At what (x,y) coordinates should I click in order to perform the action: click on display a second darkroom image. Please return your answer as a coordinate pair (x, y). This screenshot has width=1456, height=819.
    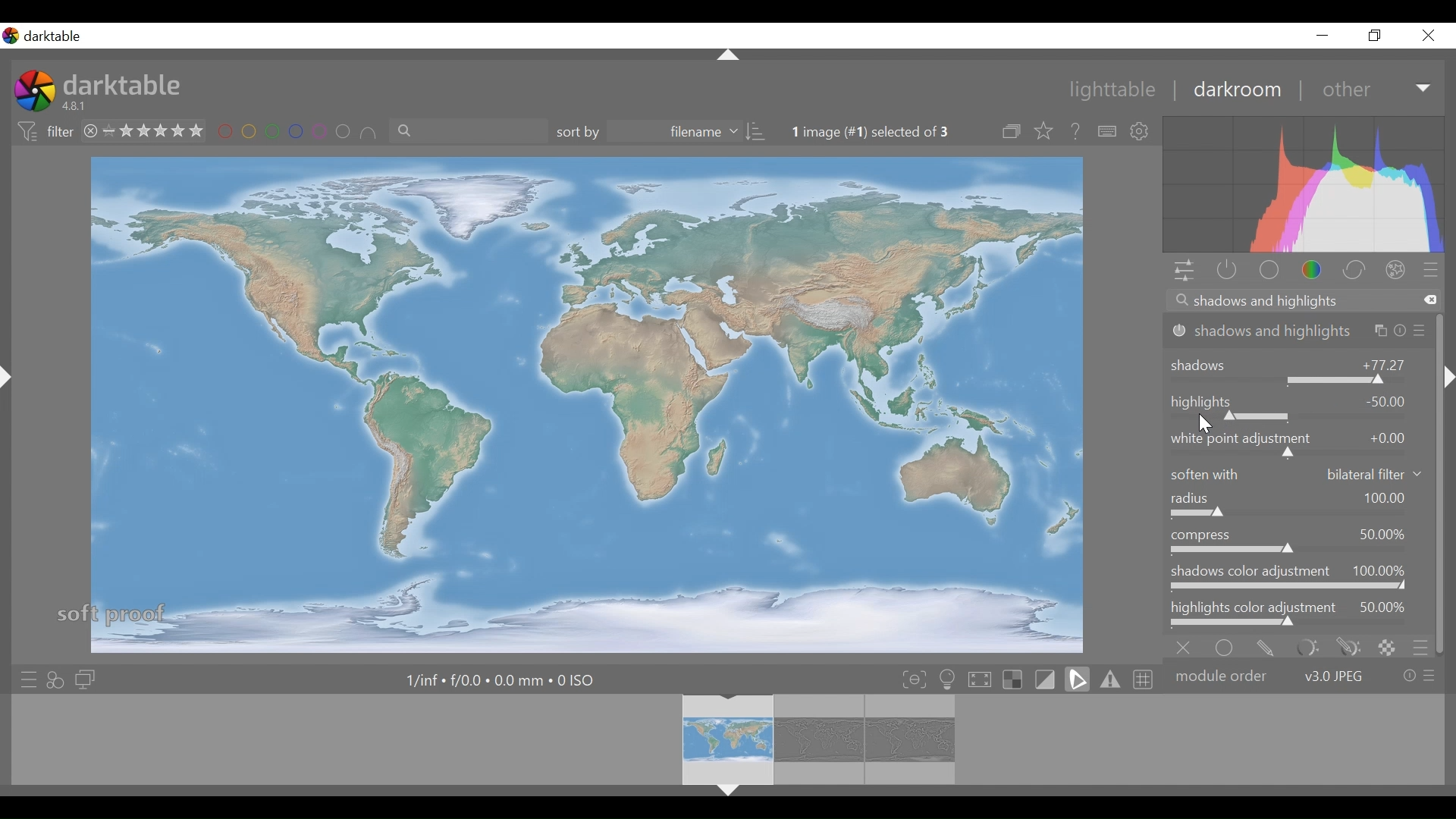
    Looking at the image, I should click on (84, 679).